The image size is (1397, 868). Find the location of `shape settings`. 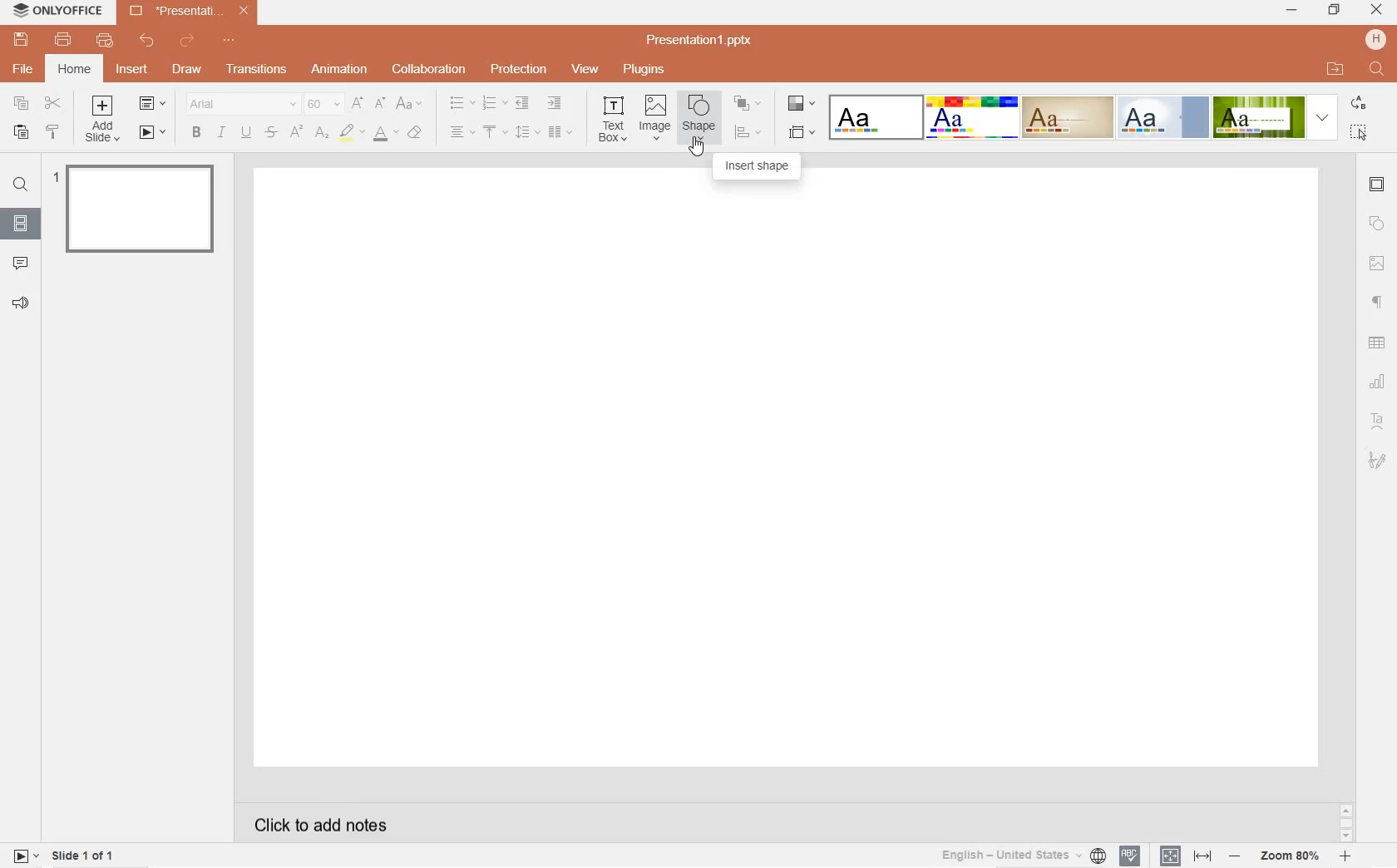

shape settings is located at coordinates (1377, 224).